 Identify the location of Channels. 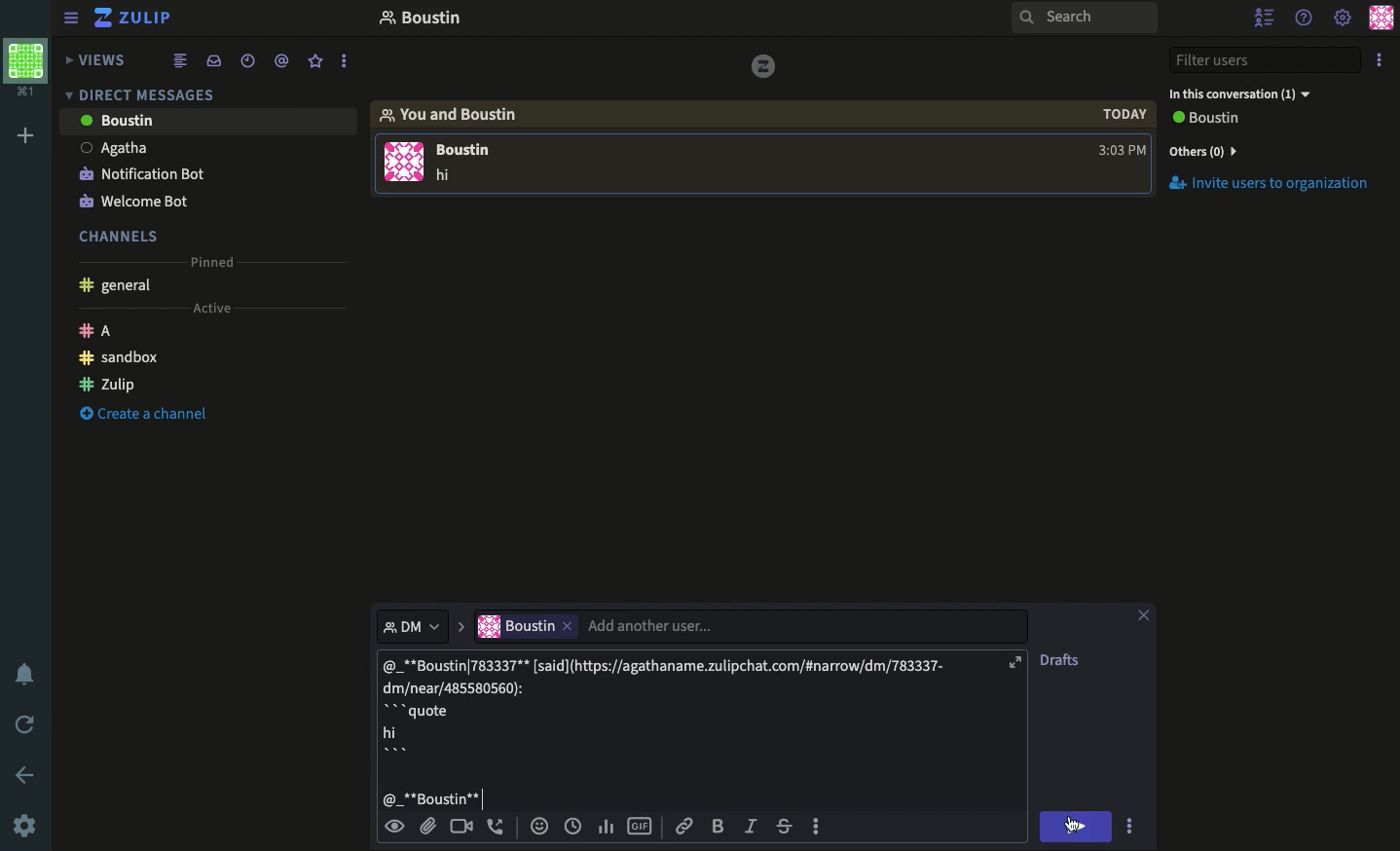
(122, 234).